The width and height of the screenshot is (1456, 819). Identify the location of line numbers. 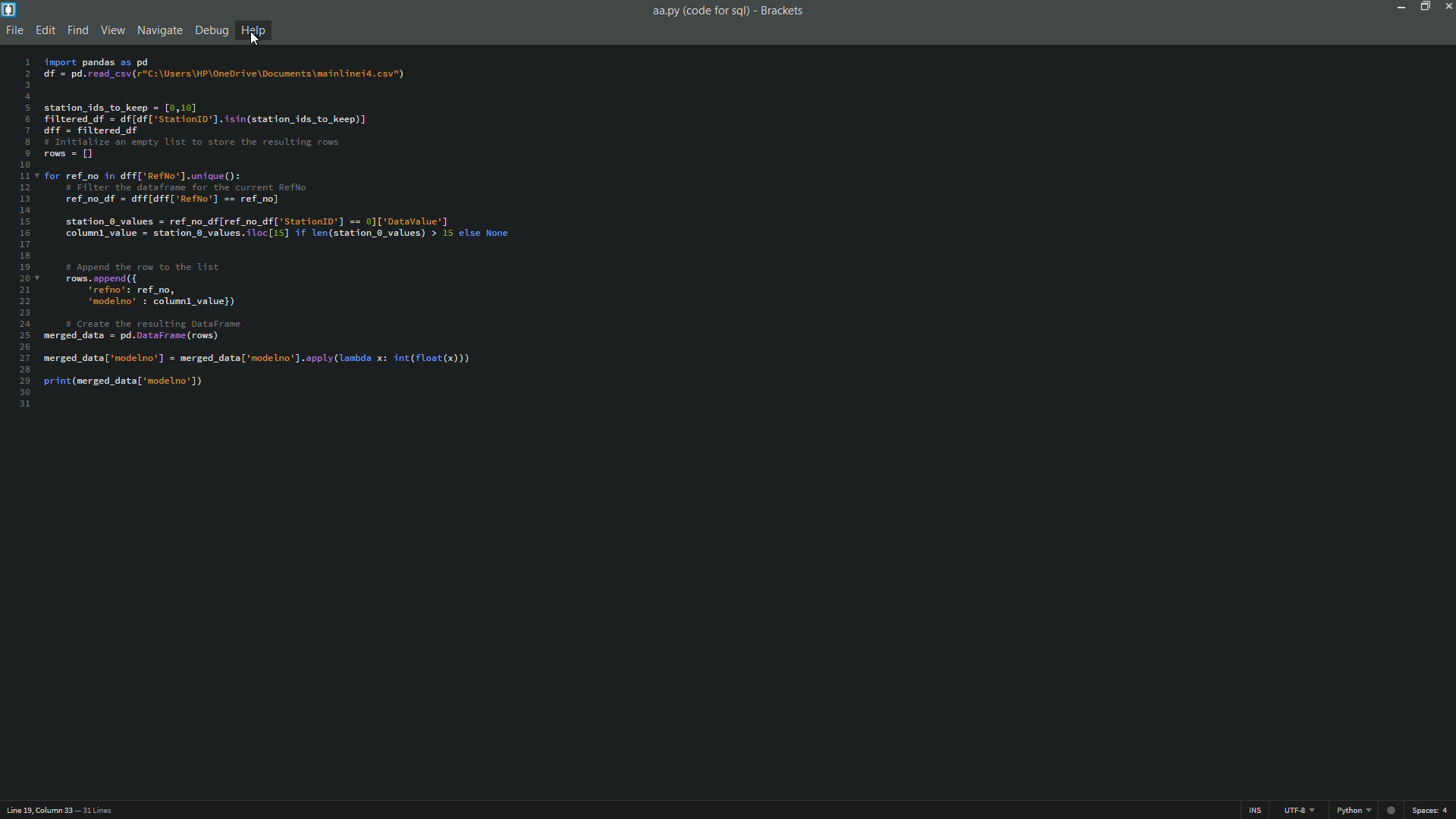
(23, 234).